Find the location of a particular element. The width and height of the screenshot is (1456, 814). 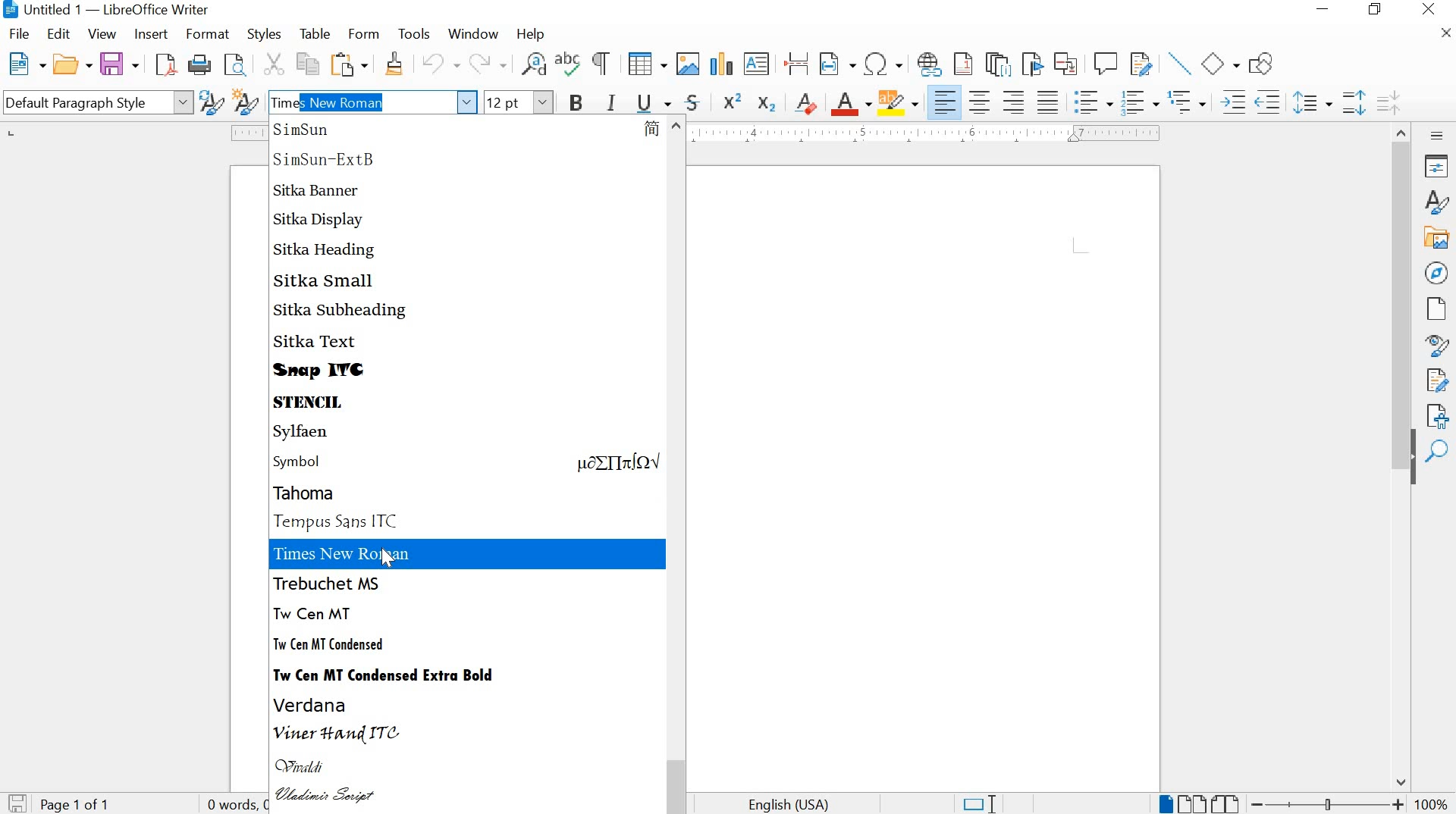

VINER HAND ITC is located at coordinates (340, 733).